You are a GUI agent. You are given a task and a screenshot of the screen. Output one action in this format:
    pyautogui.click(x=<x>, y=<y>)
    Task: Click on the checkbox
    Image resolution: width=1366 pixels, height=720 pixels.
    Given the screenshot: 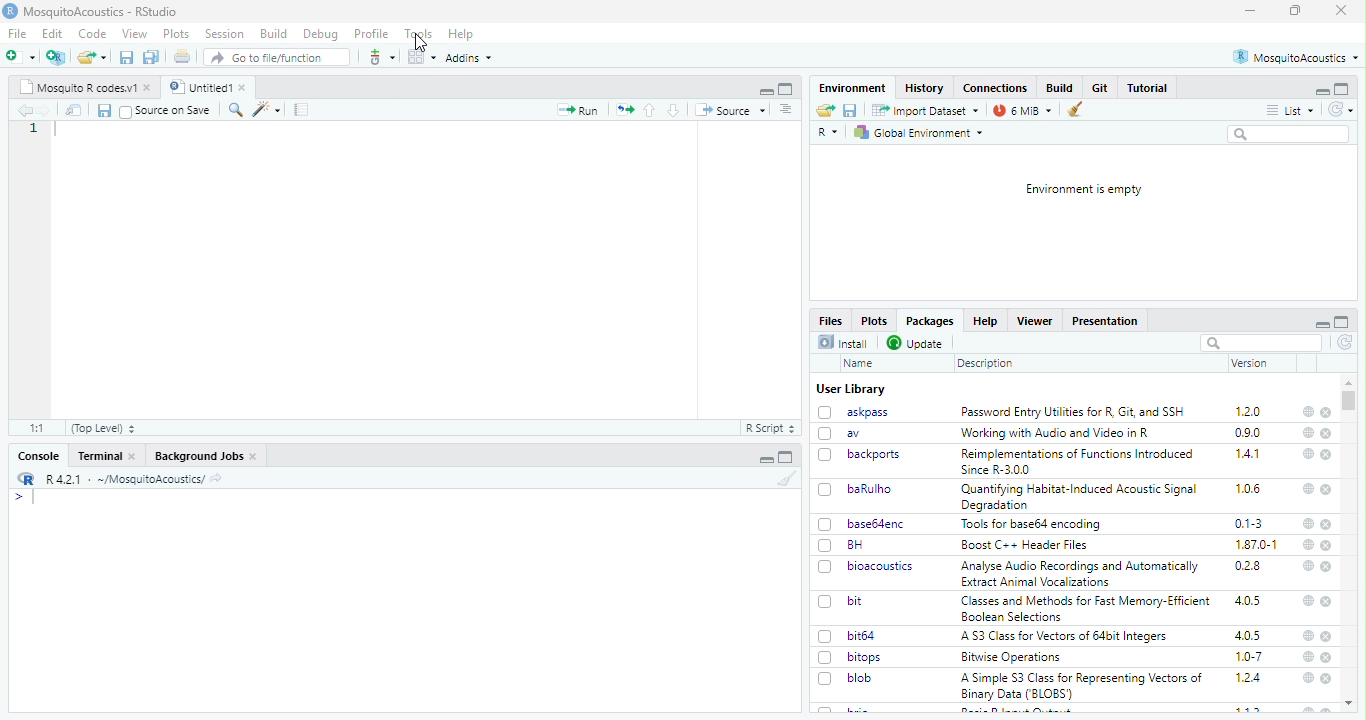 What is the action you would take?
    pyautogui.click(x=126, y=112)
    